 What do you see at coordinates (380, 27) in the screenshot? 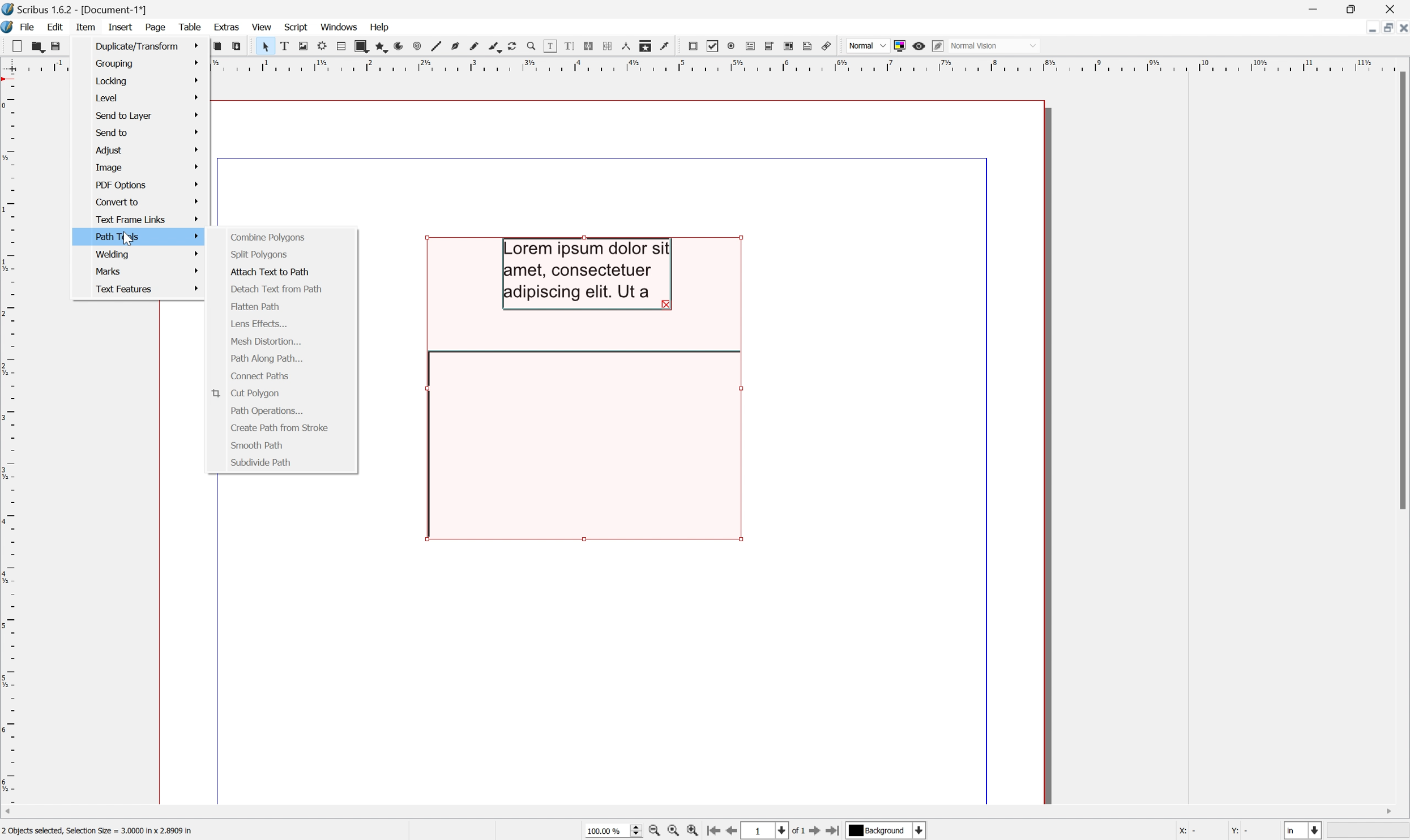
I see `Help` at bounding box center [380, 27].